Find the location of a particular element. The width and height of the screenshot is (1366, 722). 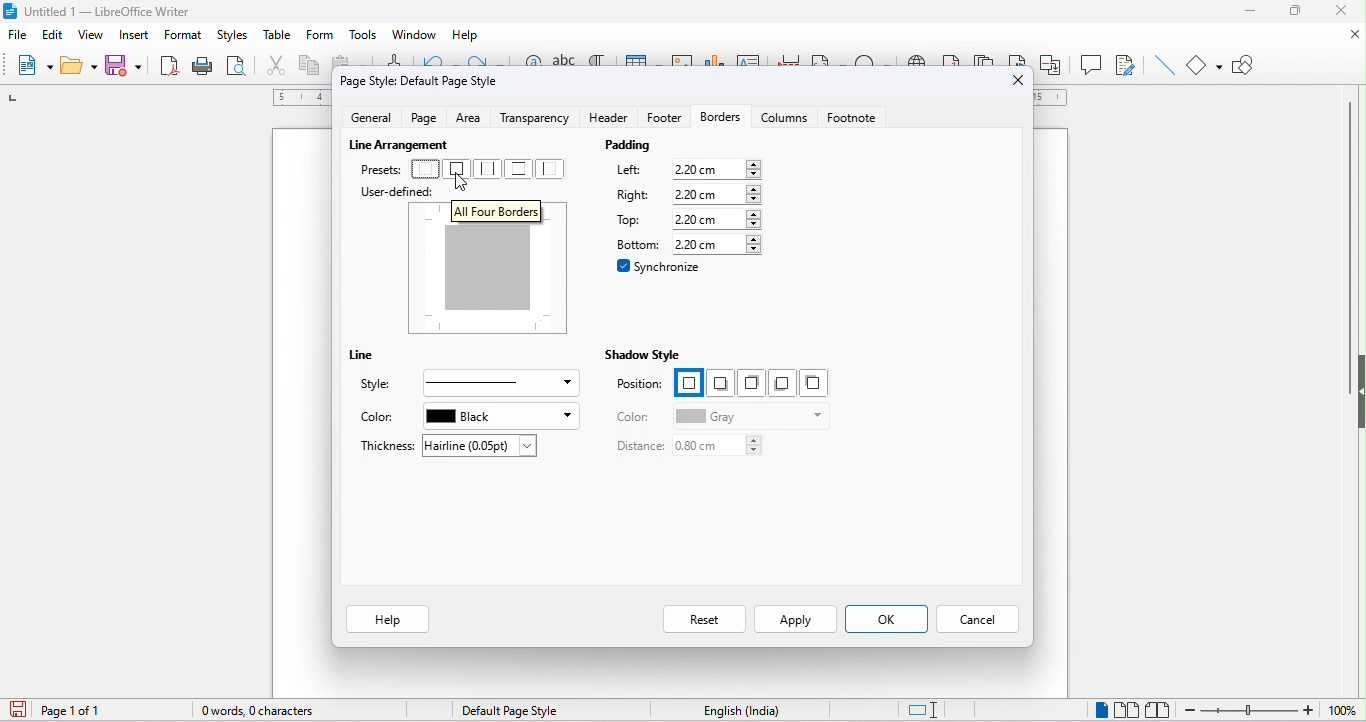

reset is located at coordinates (701, 617).